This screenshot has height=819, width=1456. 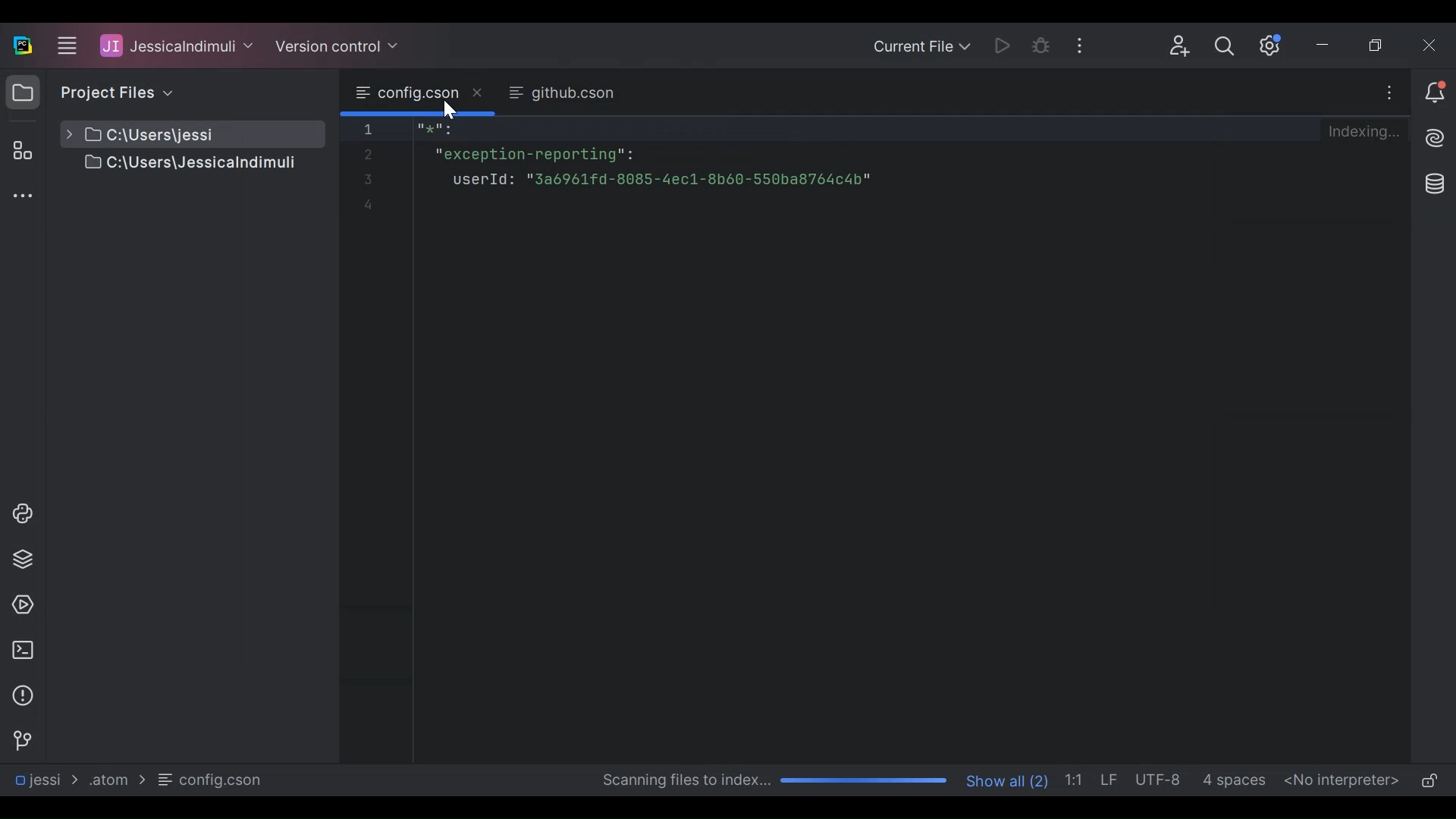 What do you see at coordinates (1389, 93) in the screenshot?
I see `More` at bounding box center [1389, 93].